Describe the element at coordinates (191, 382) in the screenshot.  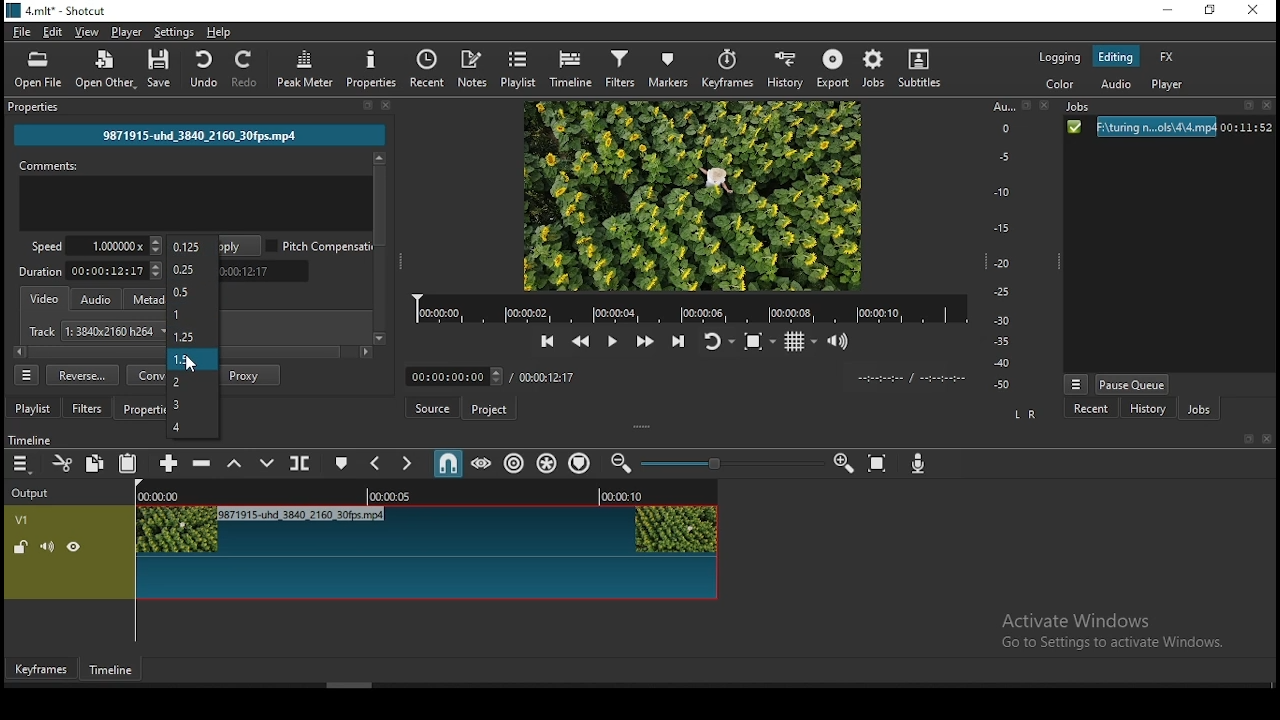
I see `2` at that location.